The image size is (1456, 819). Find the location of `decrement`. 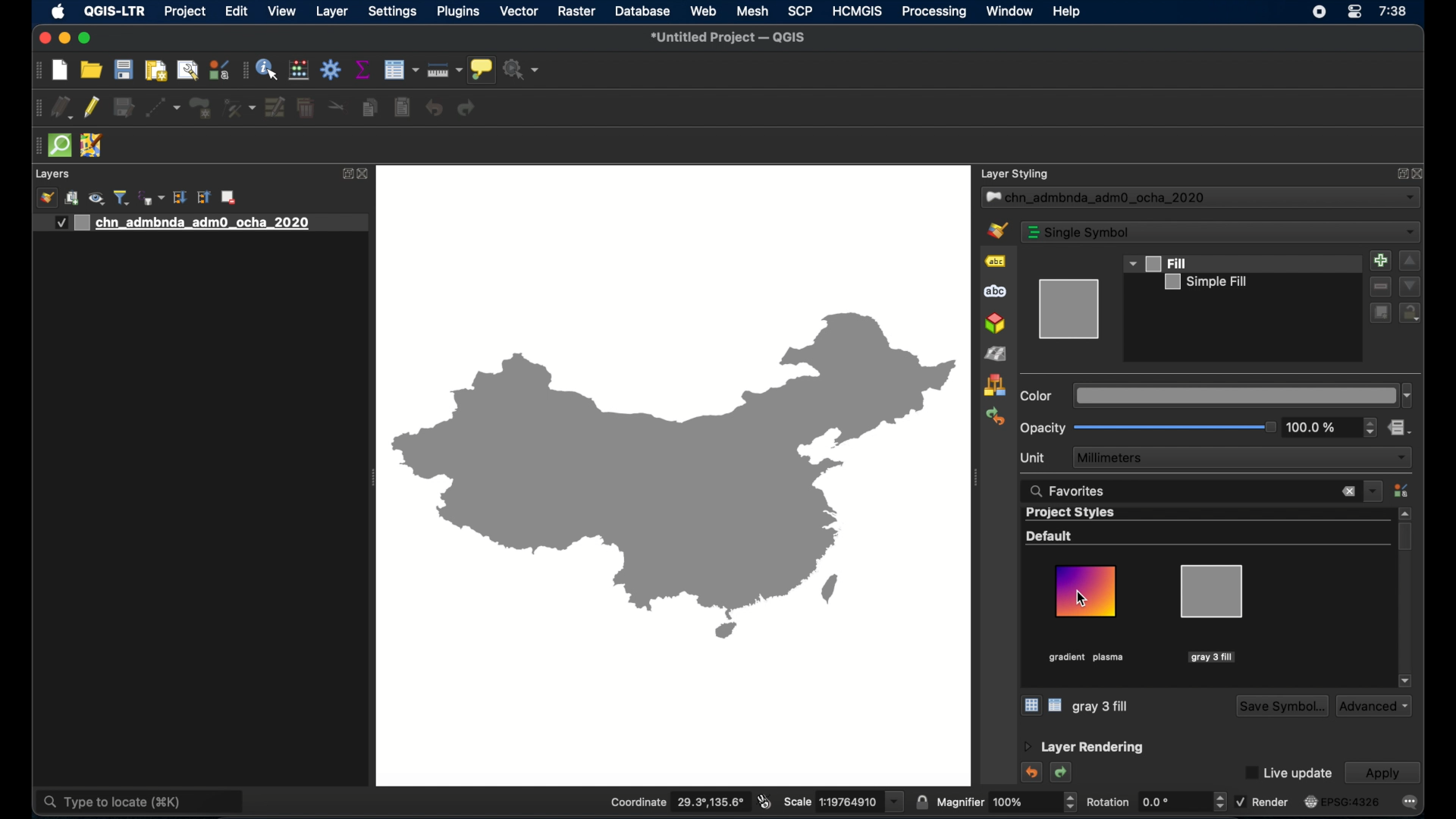

decrement is located at coordinates (1410, 287).